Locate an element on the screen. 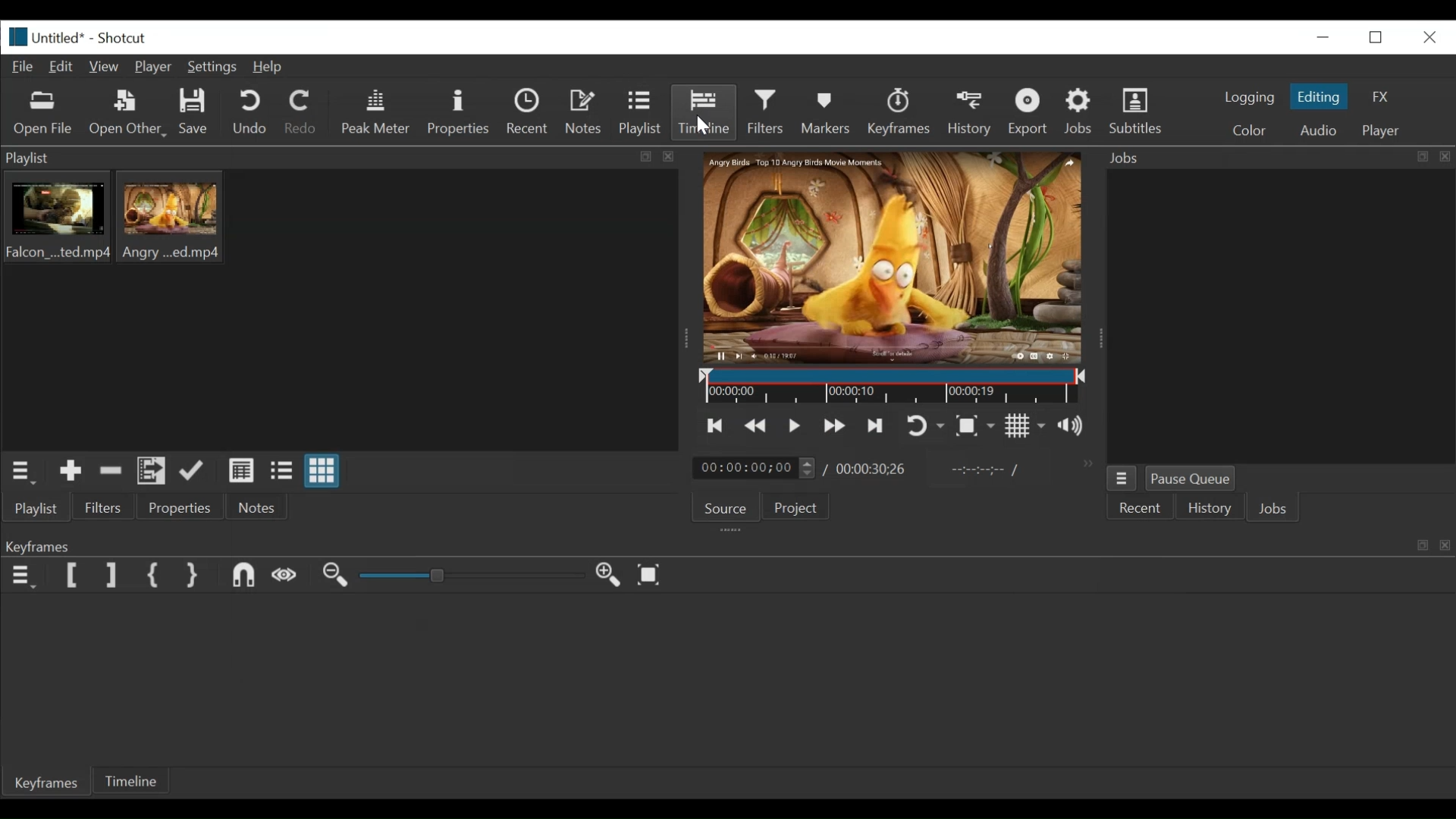 The height and width of the screenshot is (819, 1456). Set Filter First is located at coordinates (71, 576).